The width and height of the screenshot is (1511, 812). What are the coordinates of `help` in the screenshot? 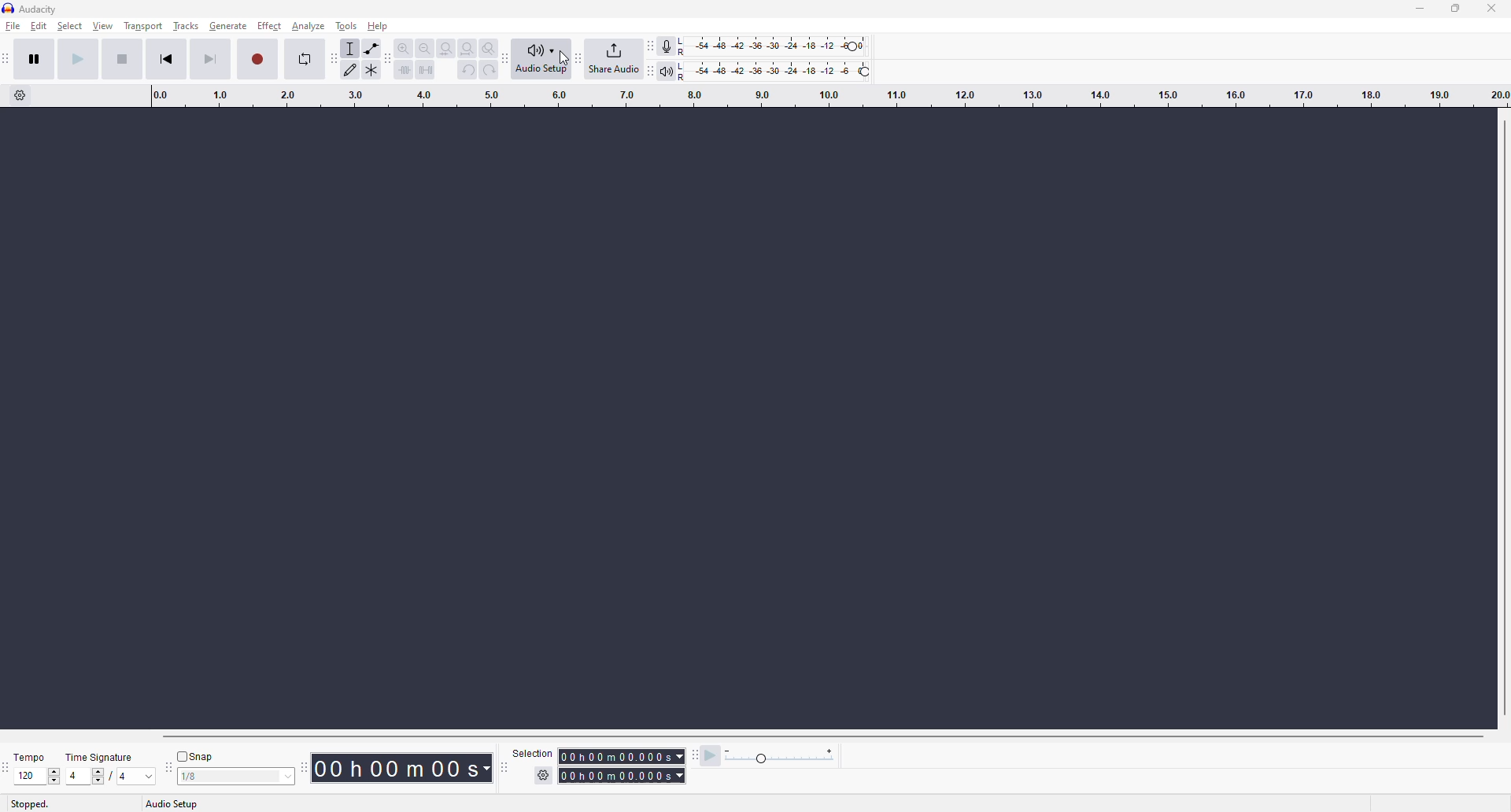 It's located at (368, 26).